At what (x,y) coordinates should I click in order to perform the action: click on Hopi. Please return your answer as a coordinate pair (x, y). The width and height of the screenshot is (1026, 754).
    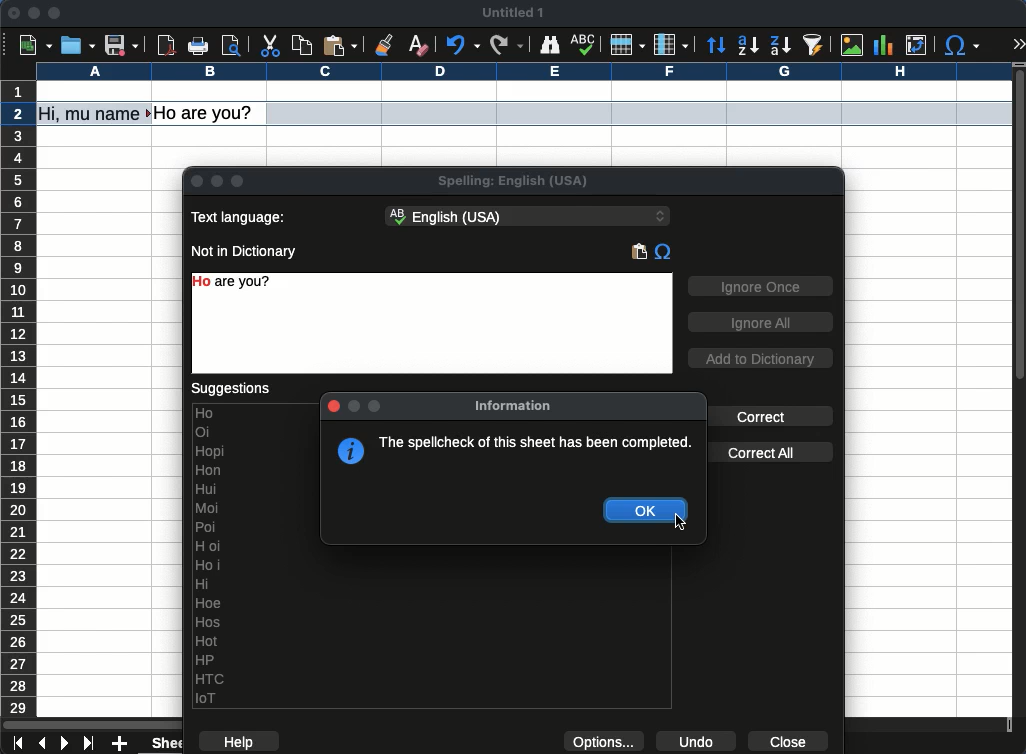
    Looking at the image, I should click on (211, 450).